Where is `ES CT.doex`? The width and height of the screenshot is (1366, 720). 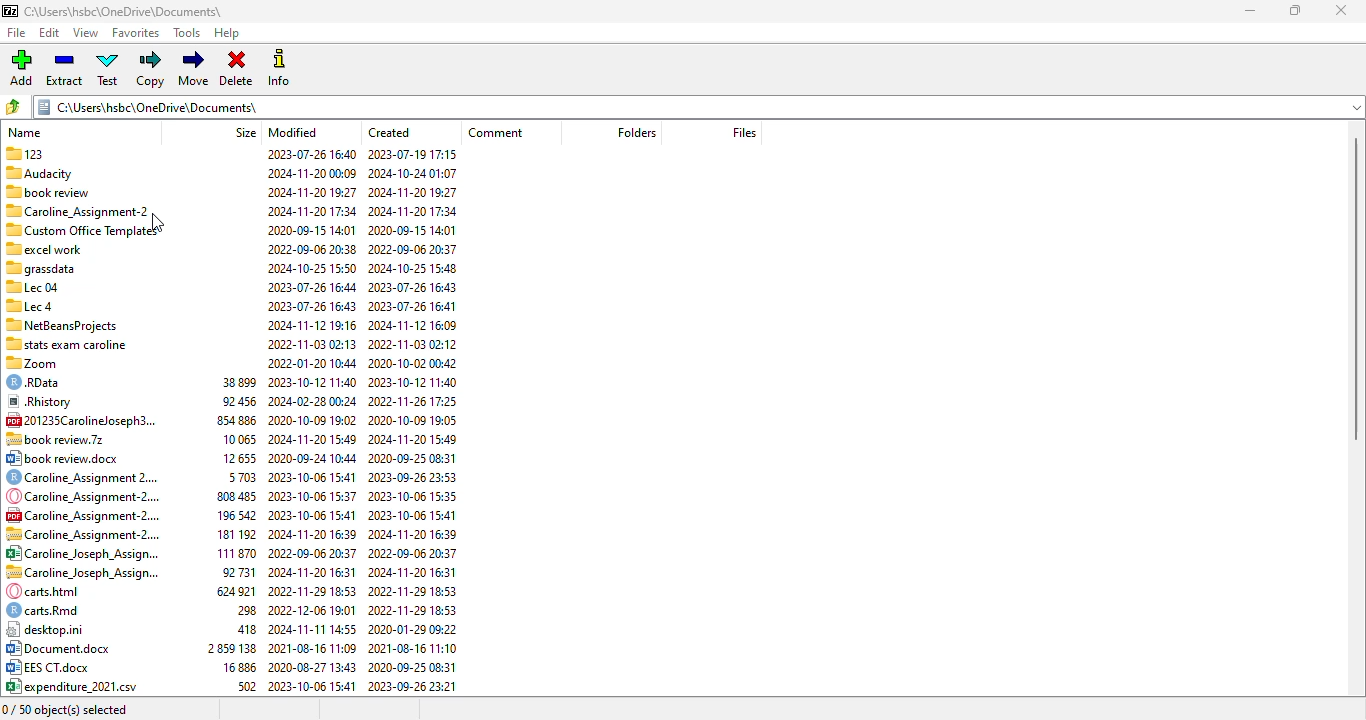
ES CT.doex is located at coordinates (53, 668).